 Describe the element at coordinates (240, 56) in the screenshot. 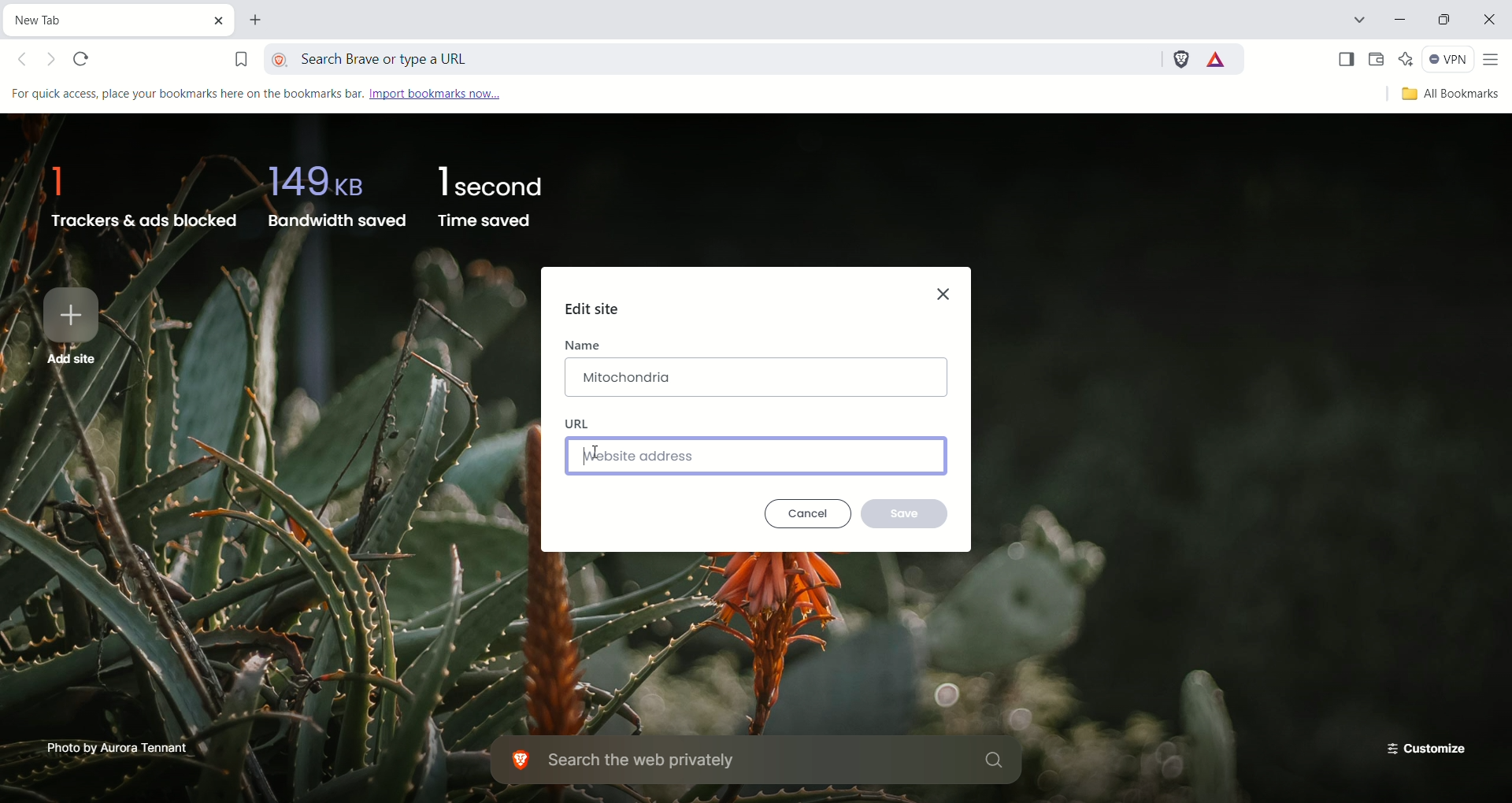

I see `bookmark` at that location.